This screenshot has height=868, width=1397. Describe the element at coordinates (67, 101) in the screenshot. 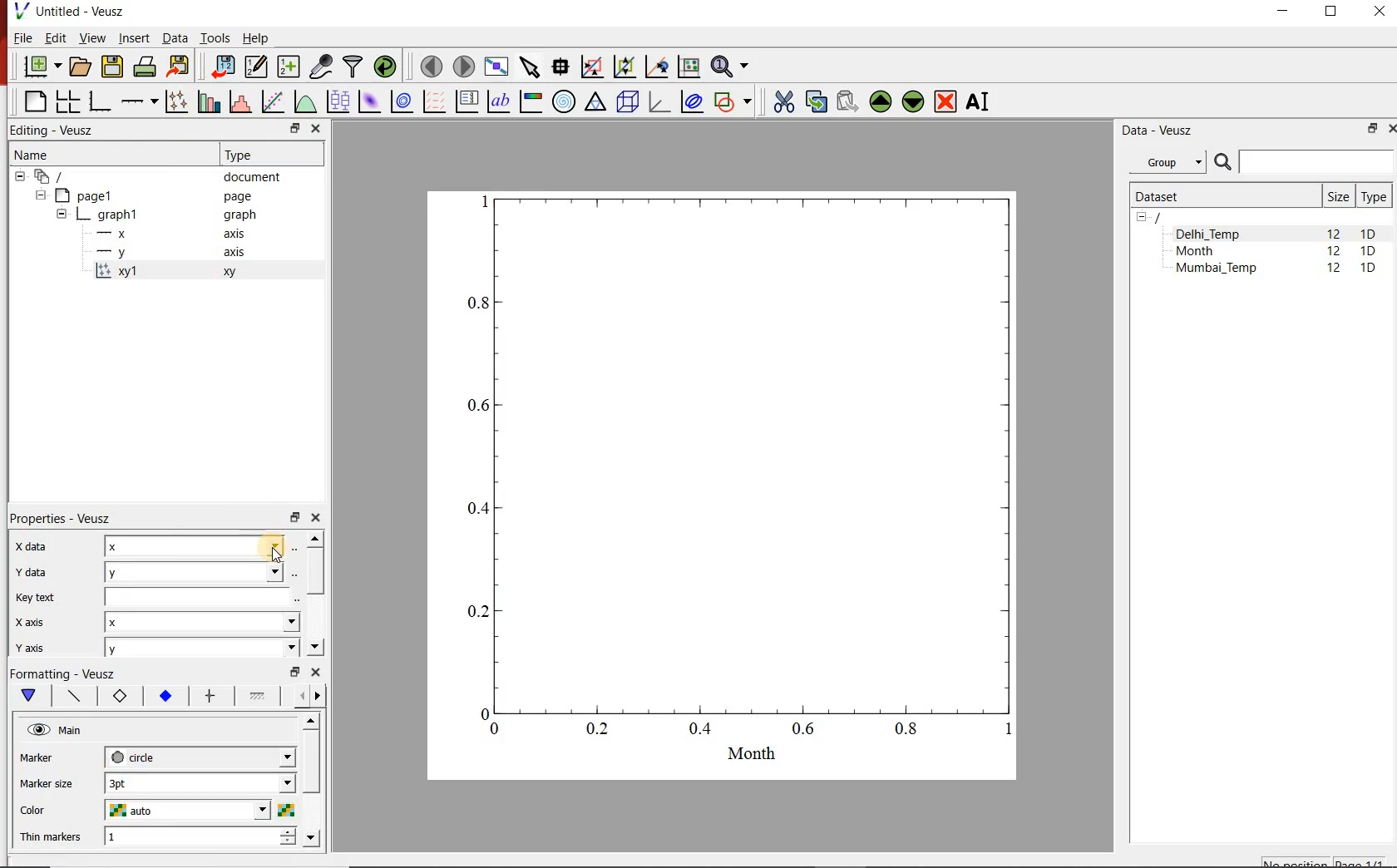

I see `arrange graphs in a grid` at that location.